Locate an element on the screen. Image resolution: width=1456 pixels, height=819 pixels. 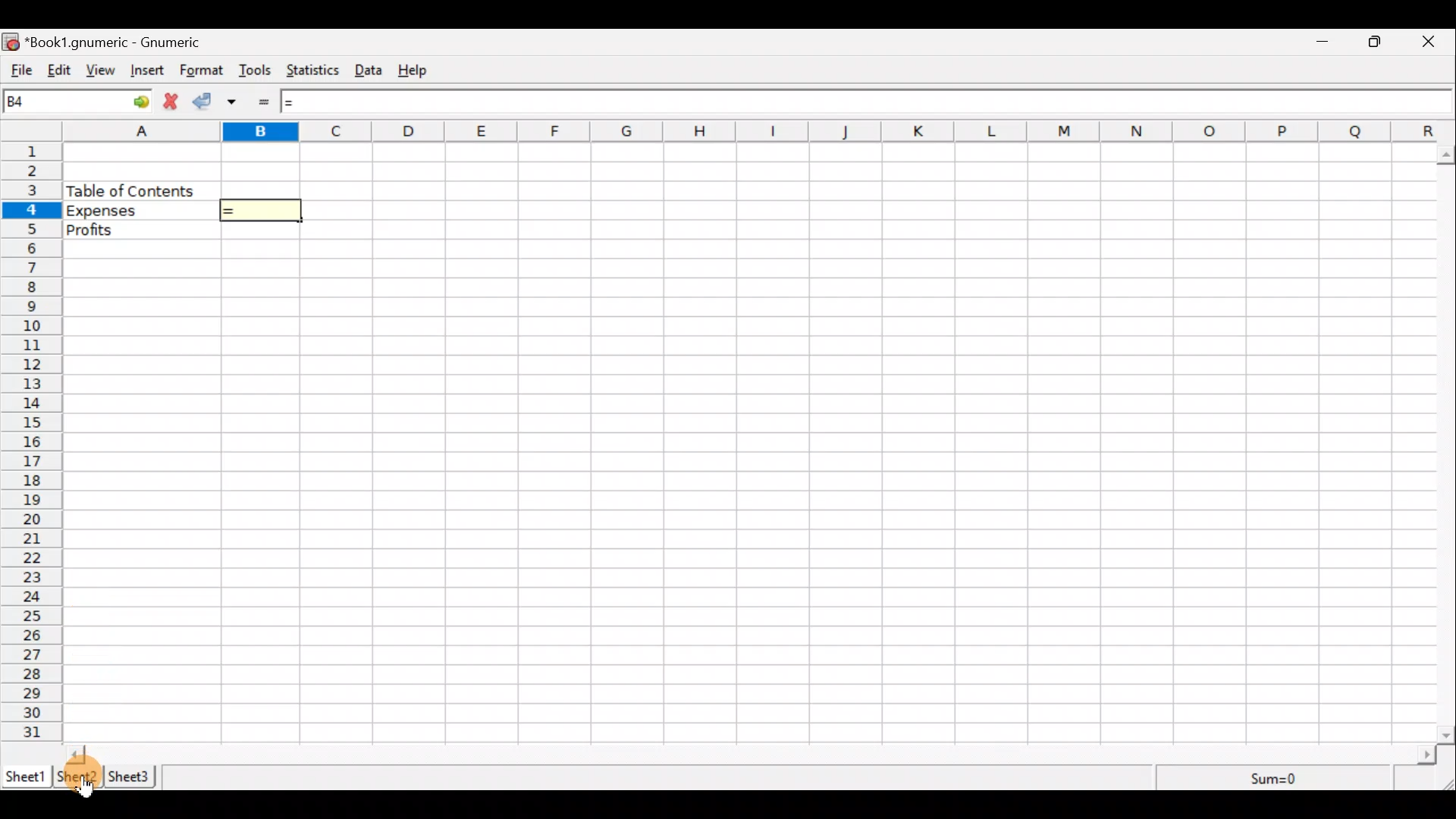
Edit is located at coordinates (59, 71).